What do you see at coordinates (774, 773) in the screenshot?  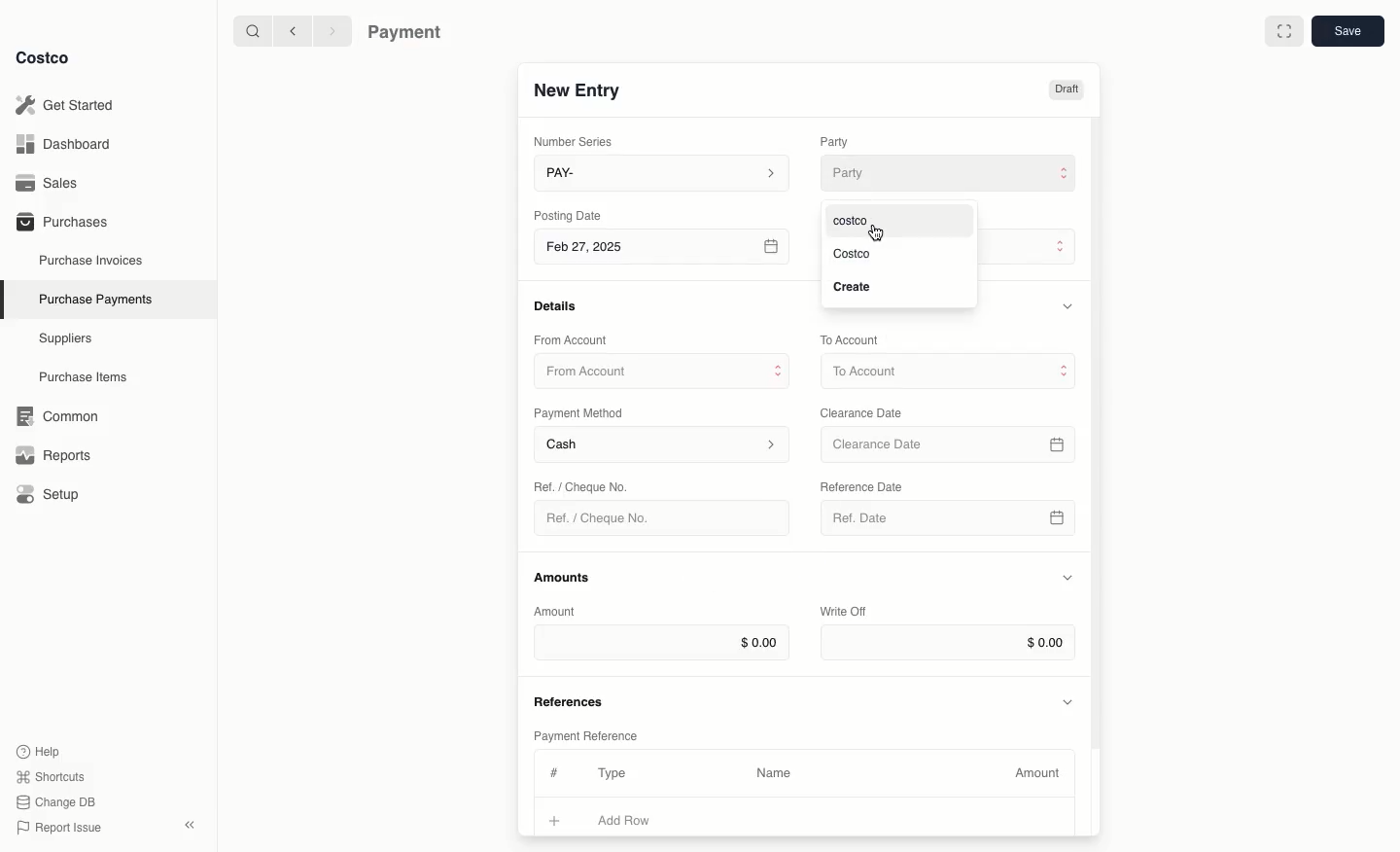 I see `Name` at bounding box center [774, 773].